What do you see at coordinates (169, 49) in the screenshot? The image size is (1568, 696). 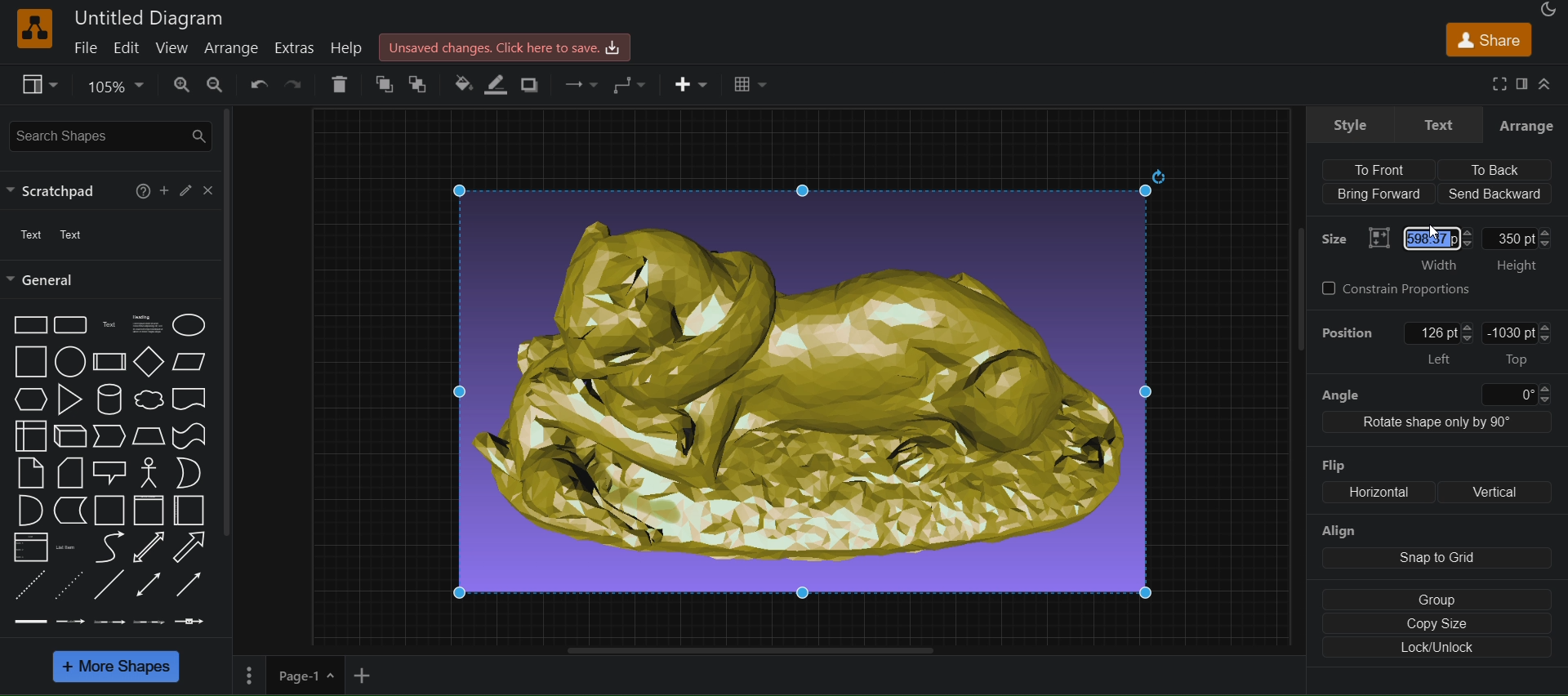 I see `view` at bounding box center [169, 49].